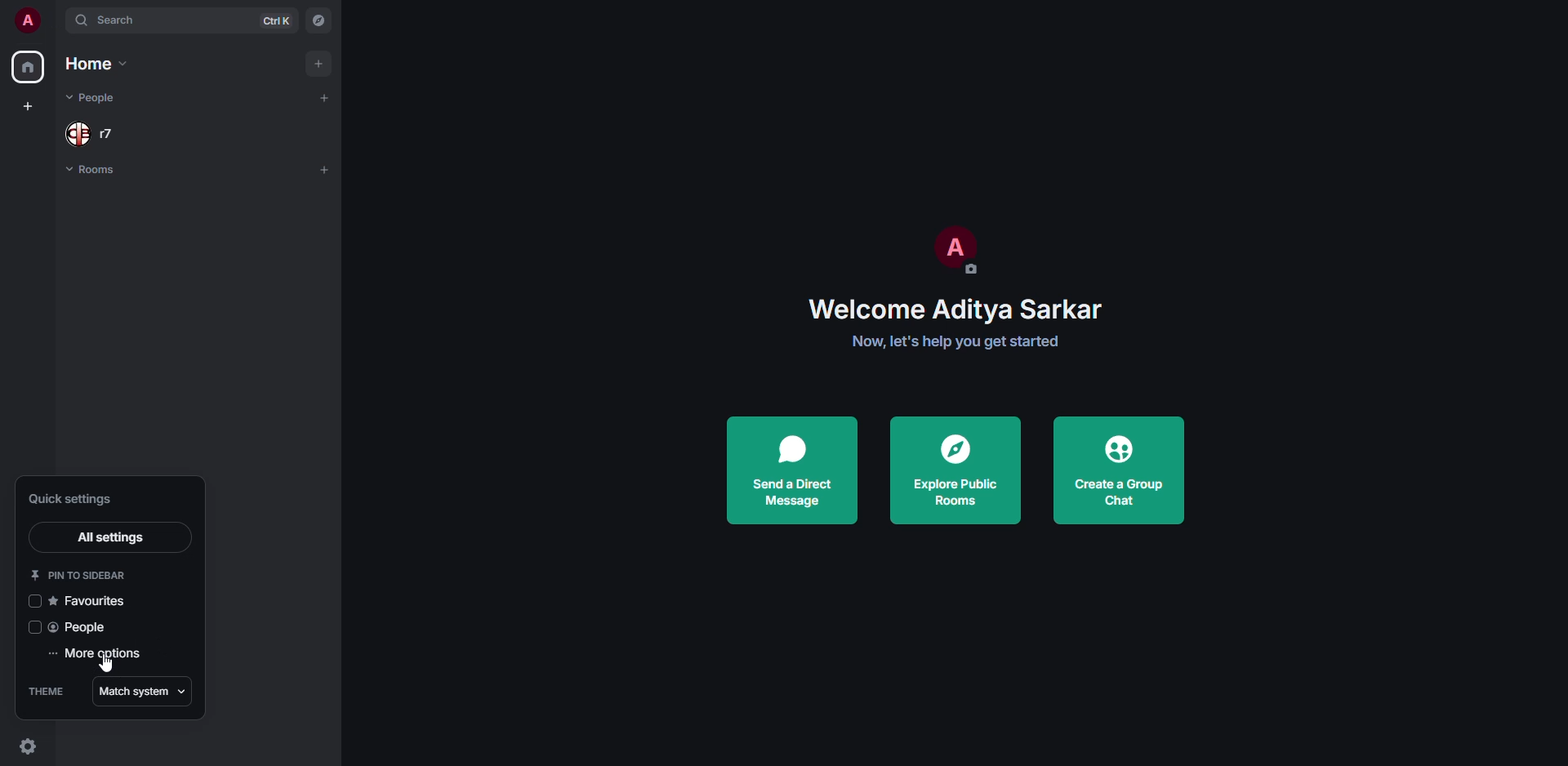 This screenshot has width=1568, height=766. Describe the element at coordinates (77, 574) in the screenshot. I see `pin to sidebar` at that location.